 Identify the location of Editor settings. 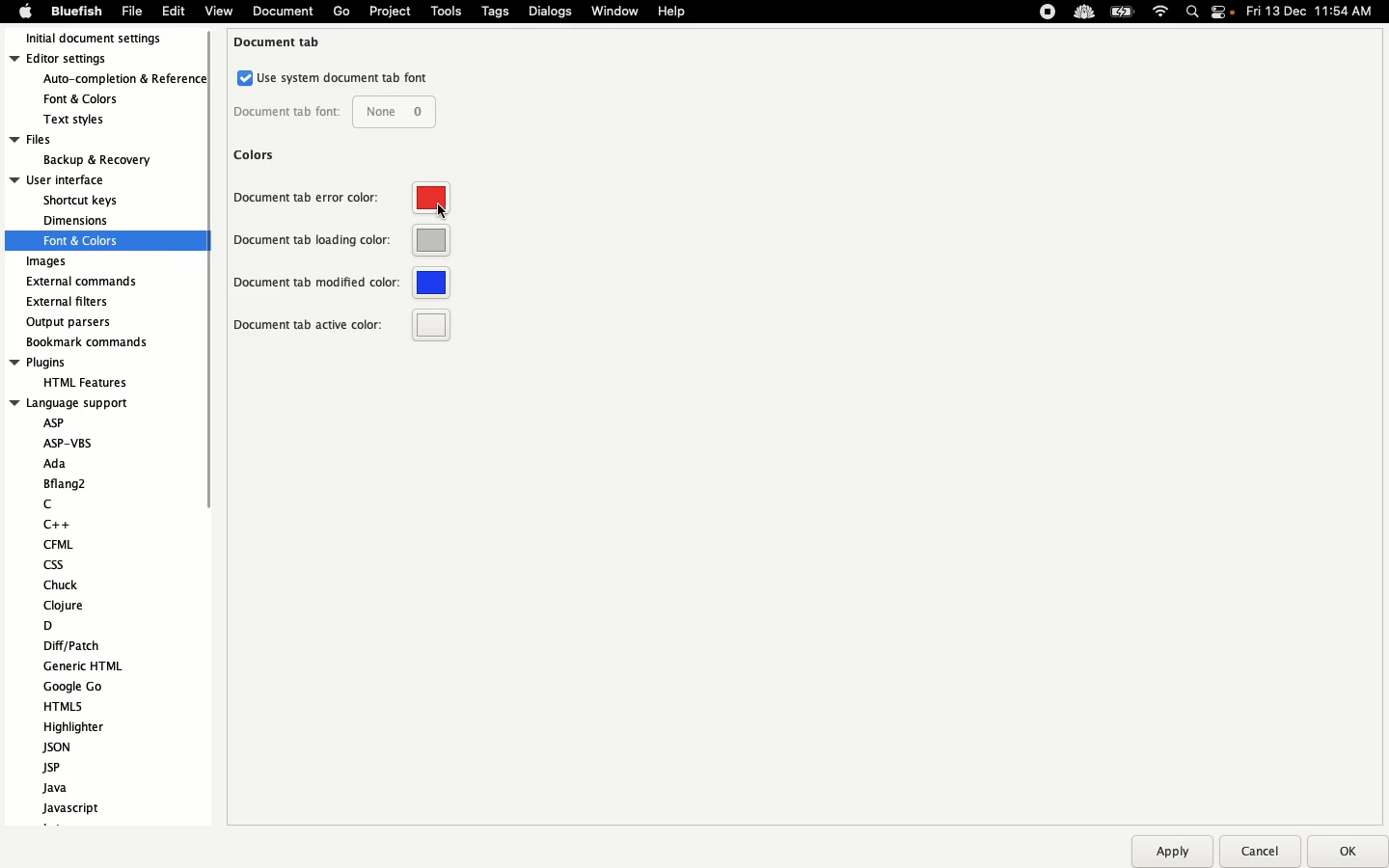
(104, 60).